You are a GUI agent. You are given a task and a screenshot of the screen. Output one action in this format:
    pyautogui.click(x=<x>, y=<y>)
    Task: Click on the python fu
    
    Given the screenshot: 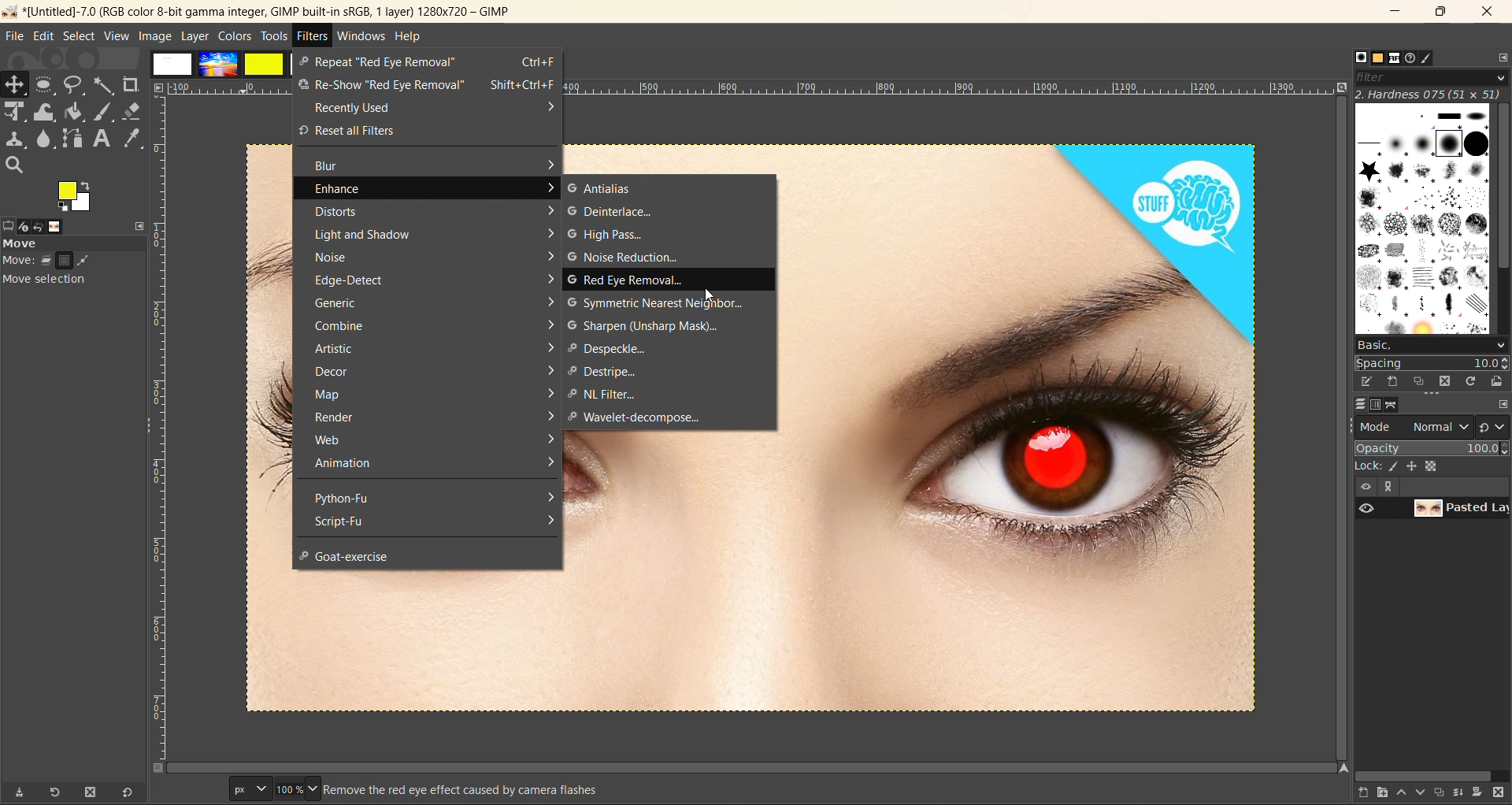 What is the action you would take?
    pyautogui.click(x=431, y=499)
    